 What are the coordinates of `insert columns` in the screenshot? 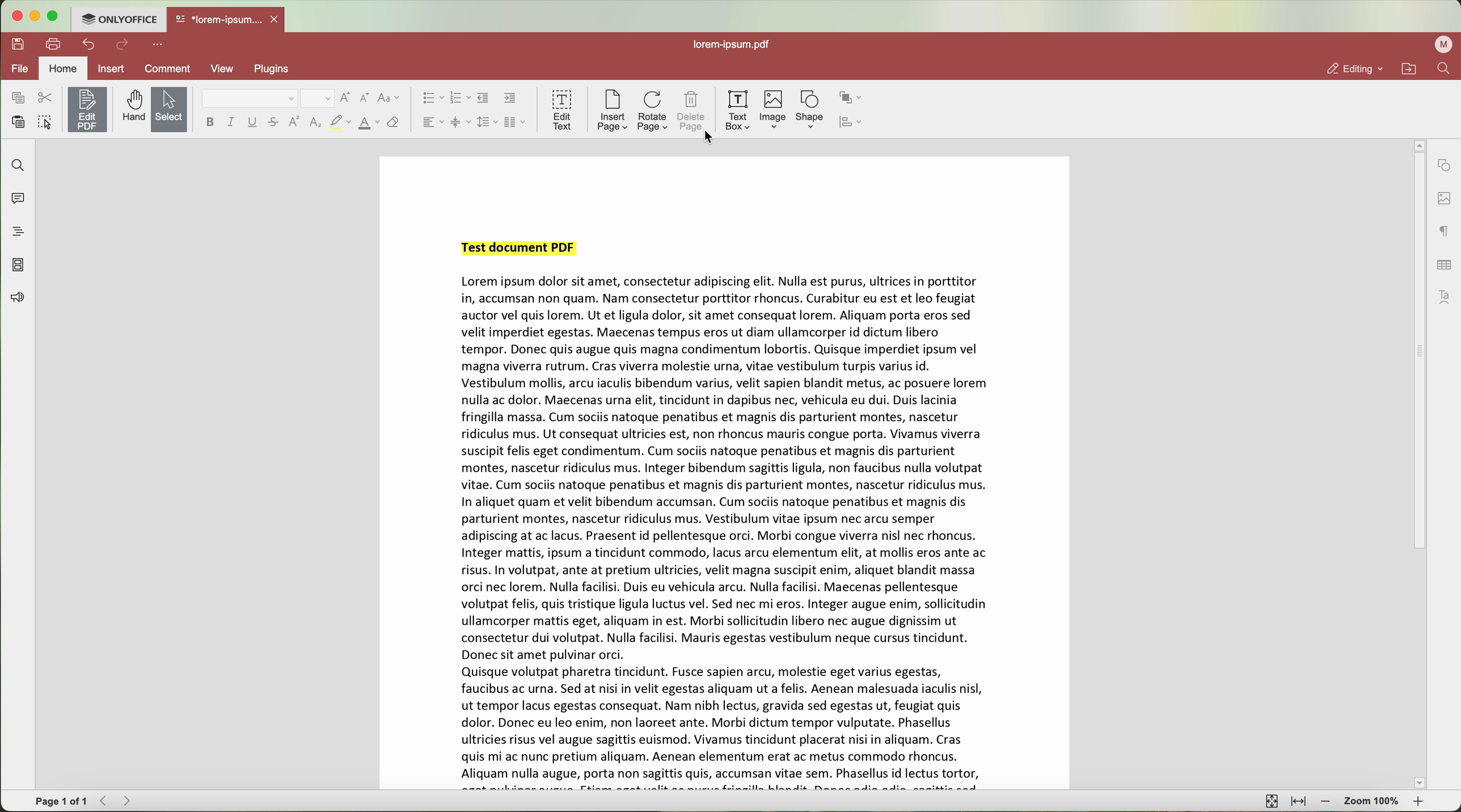 It's located at (514, 122).